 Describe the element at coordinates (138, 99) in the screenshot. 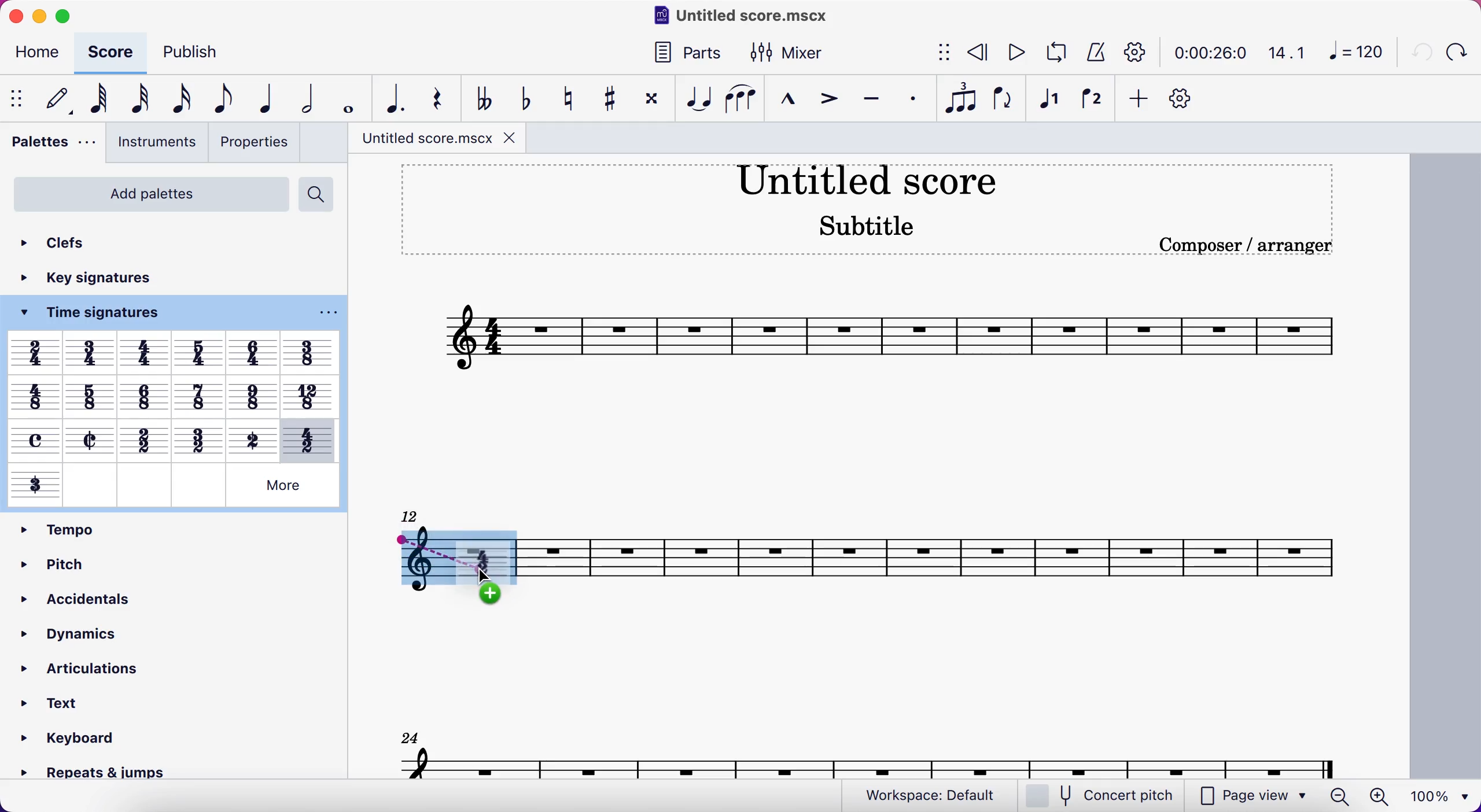

I see `32nd note` at that location.